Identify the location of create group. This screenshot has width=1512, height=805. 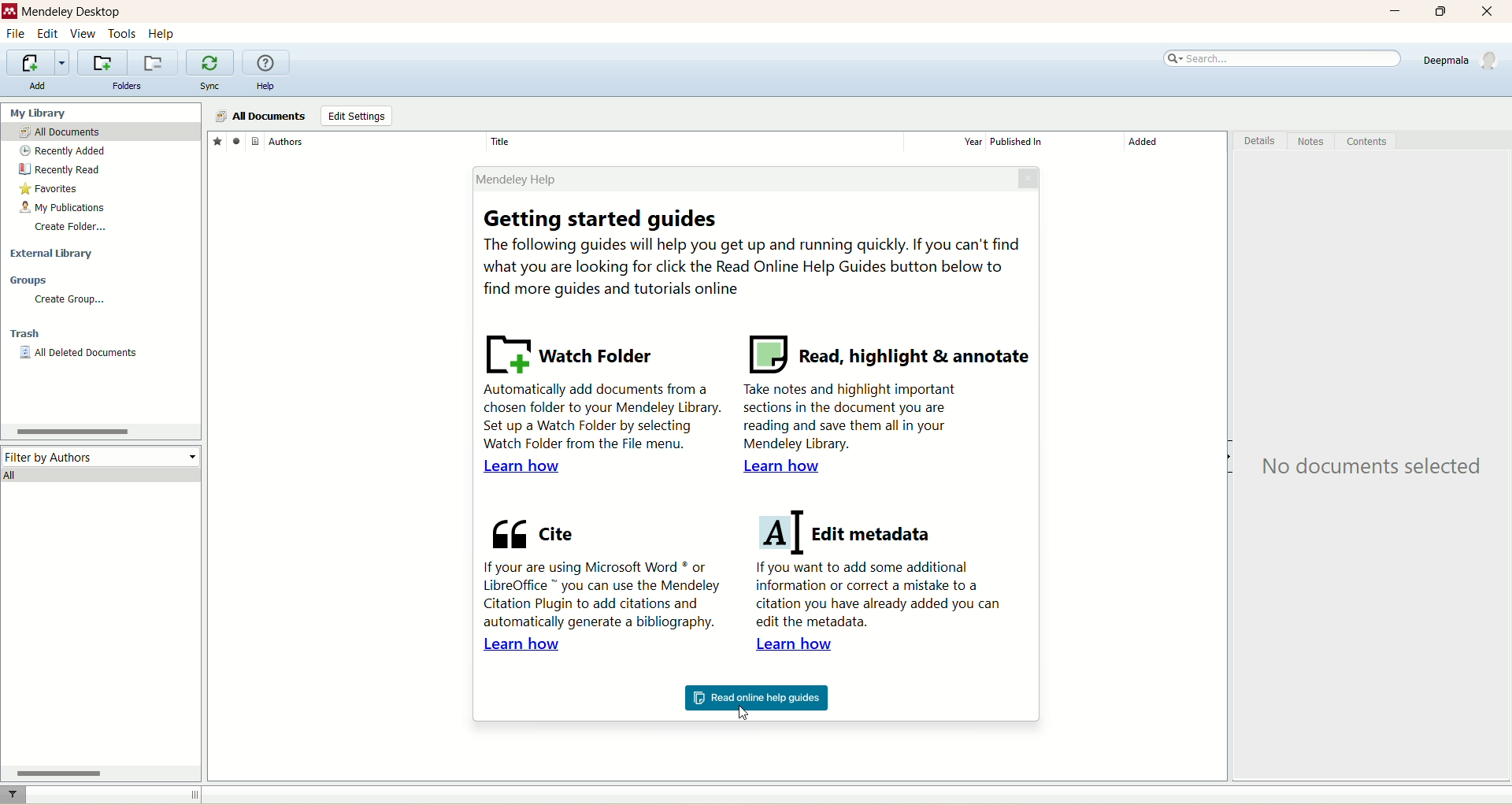
(72, 300).